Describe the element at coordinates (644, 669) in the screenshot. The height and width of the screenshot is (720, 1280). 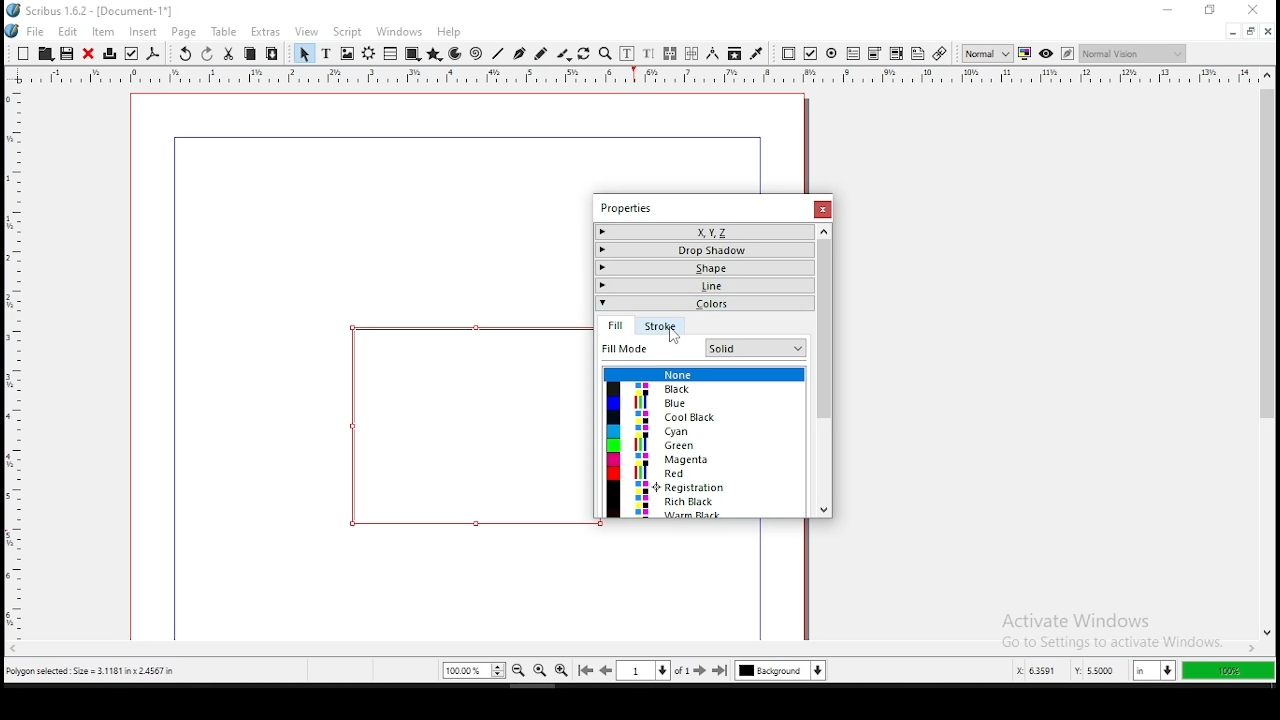
I see `select current page` at that location.